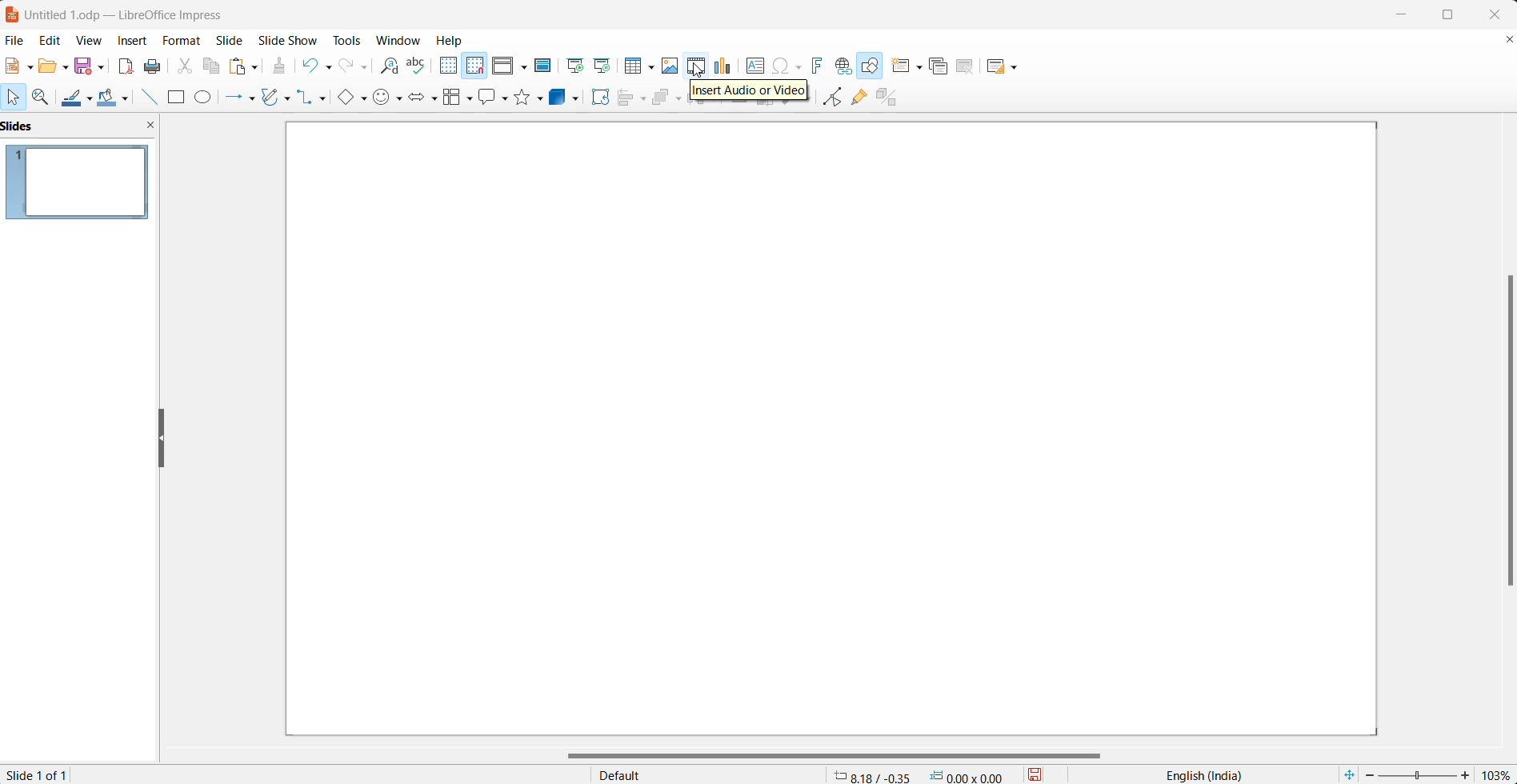 Image resolution: width=1517 pixels, height=784 pixels. Describe the element at coordinates (330, 67) in the screenshot. I see `actions to undo list dropdown button` at that location.